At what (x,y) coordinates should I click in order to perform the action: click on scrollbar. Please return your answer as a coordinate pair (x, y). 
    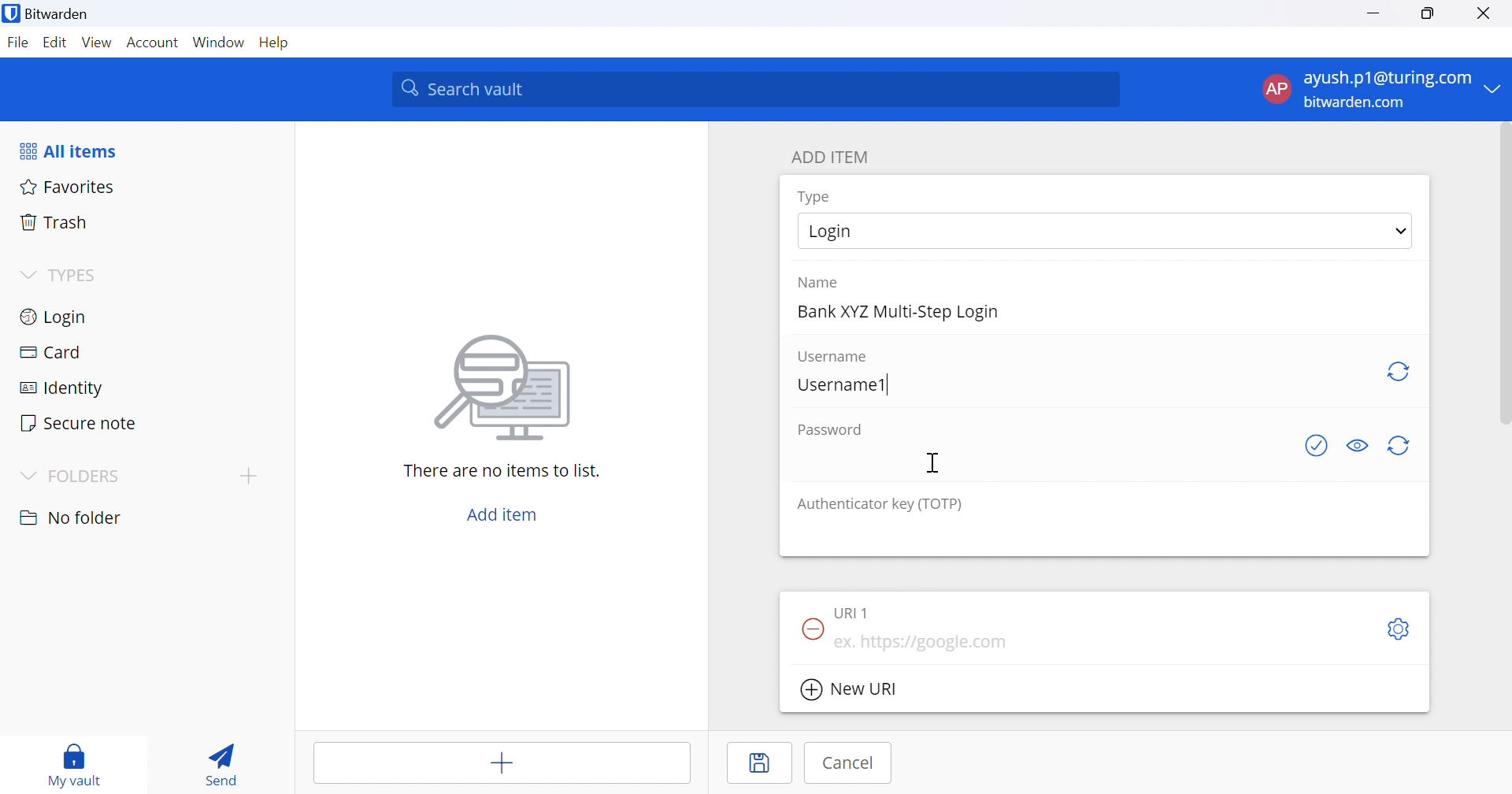
    Looking at the image, I should click on (1503, 276).